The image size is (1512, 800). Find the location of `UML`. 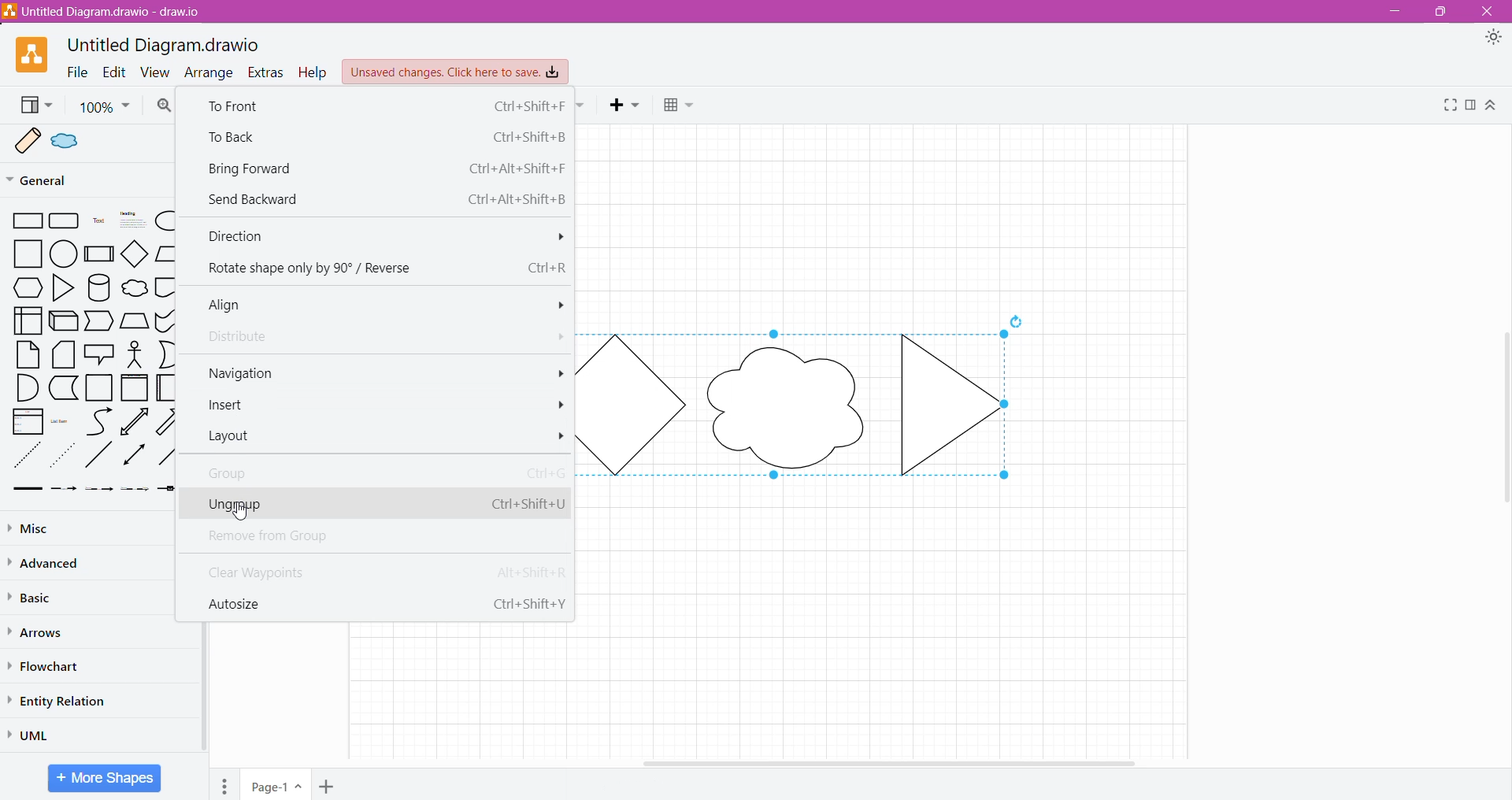

UML is located at coordinates (36, 733).